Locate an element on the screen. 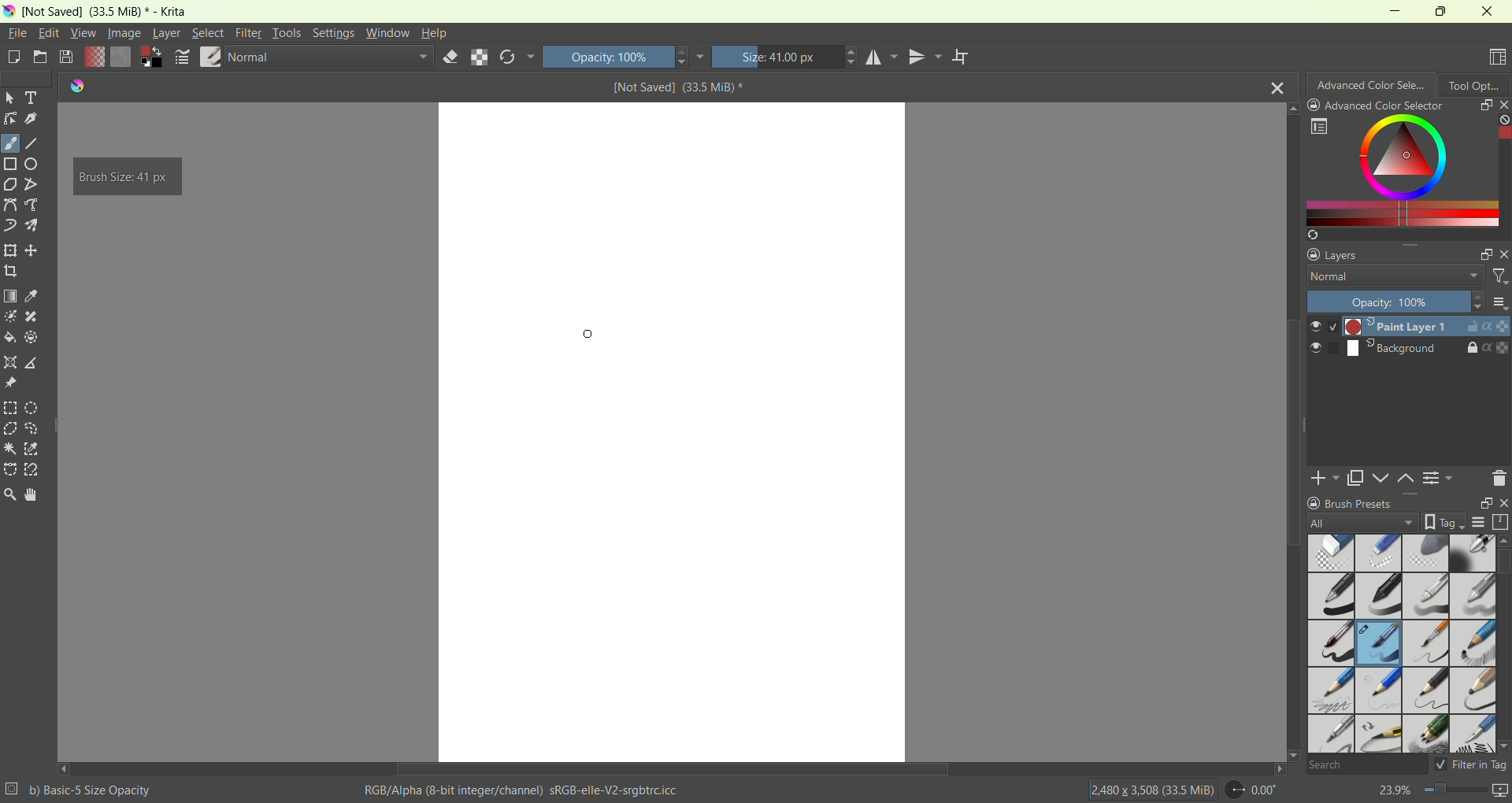  pencil 2b is located at coordinates (1329, 692).